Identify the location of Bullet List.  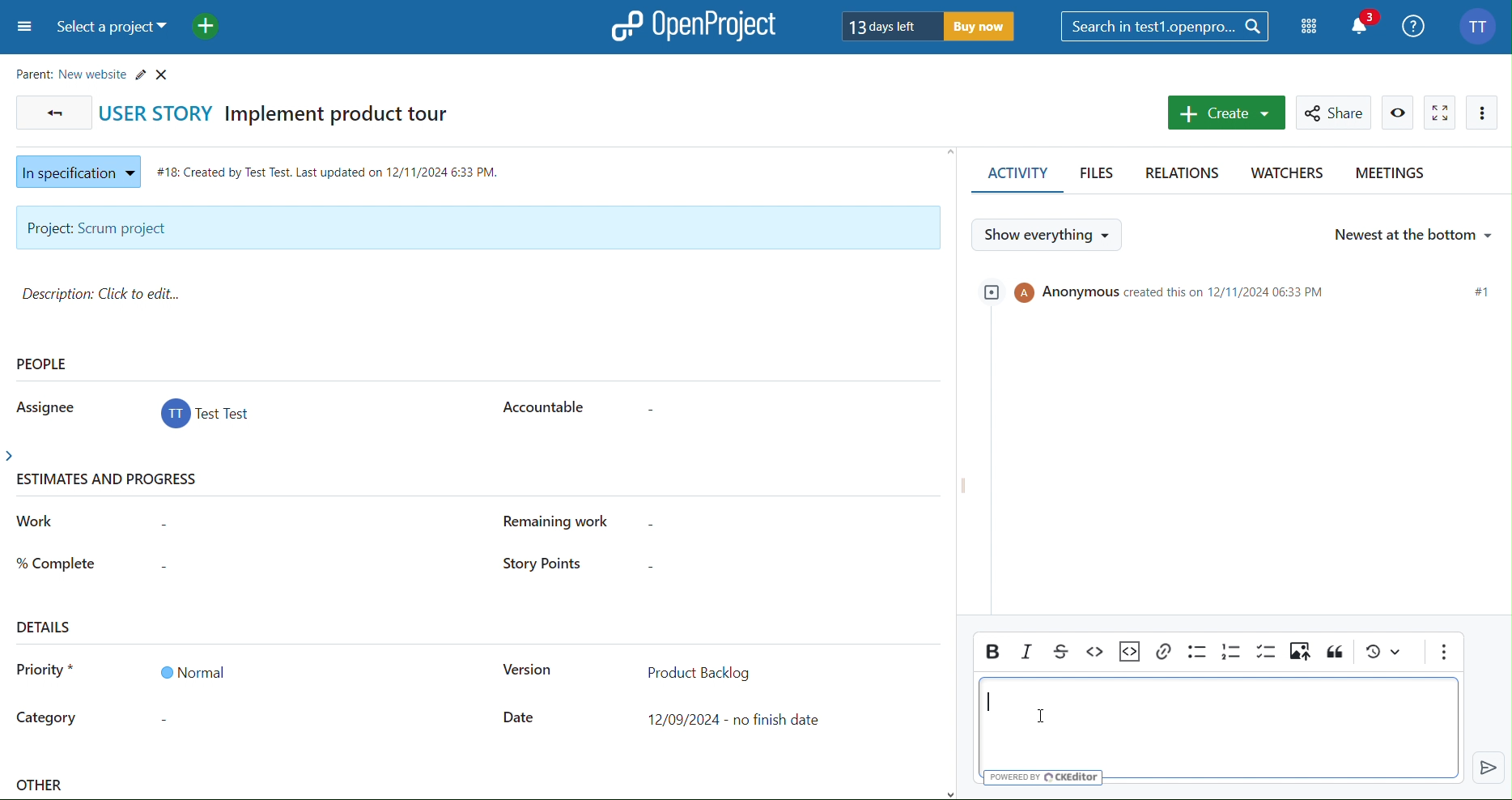
(1196, 654).